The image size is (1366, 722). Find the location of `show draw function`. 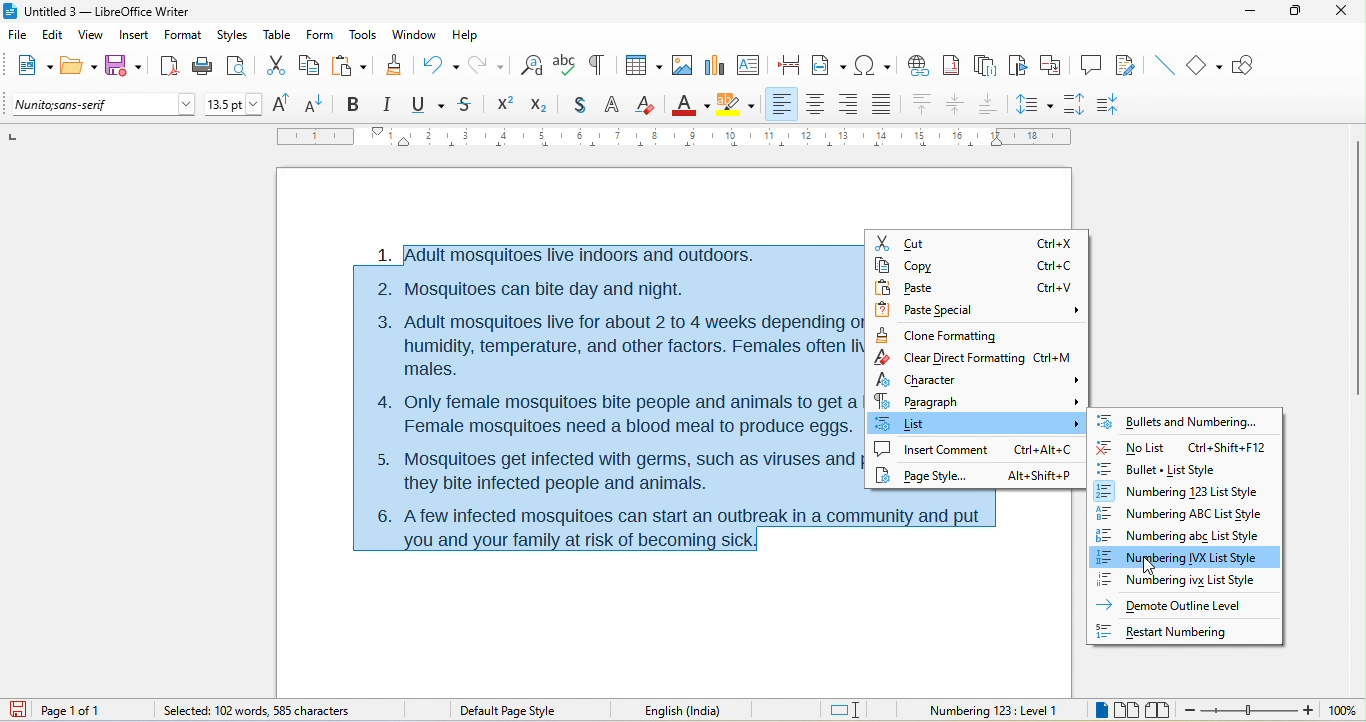

show draw function is located at coordinates (1249, 67).